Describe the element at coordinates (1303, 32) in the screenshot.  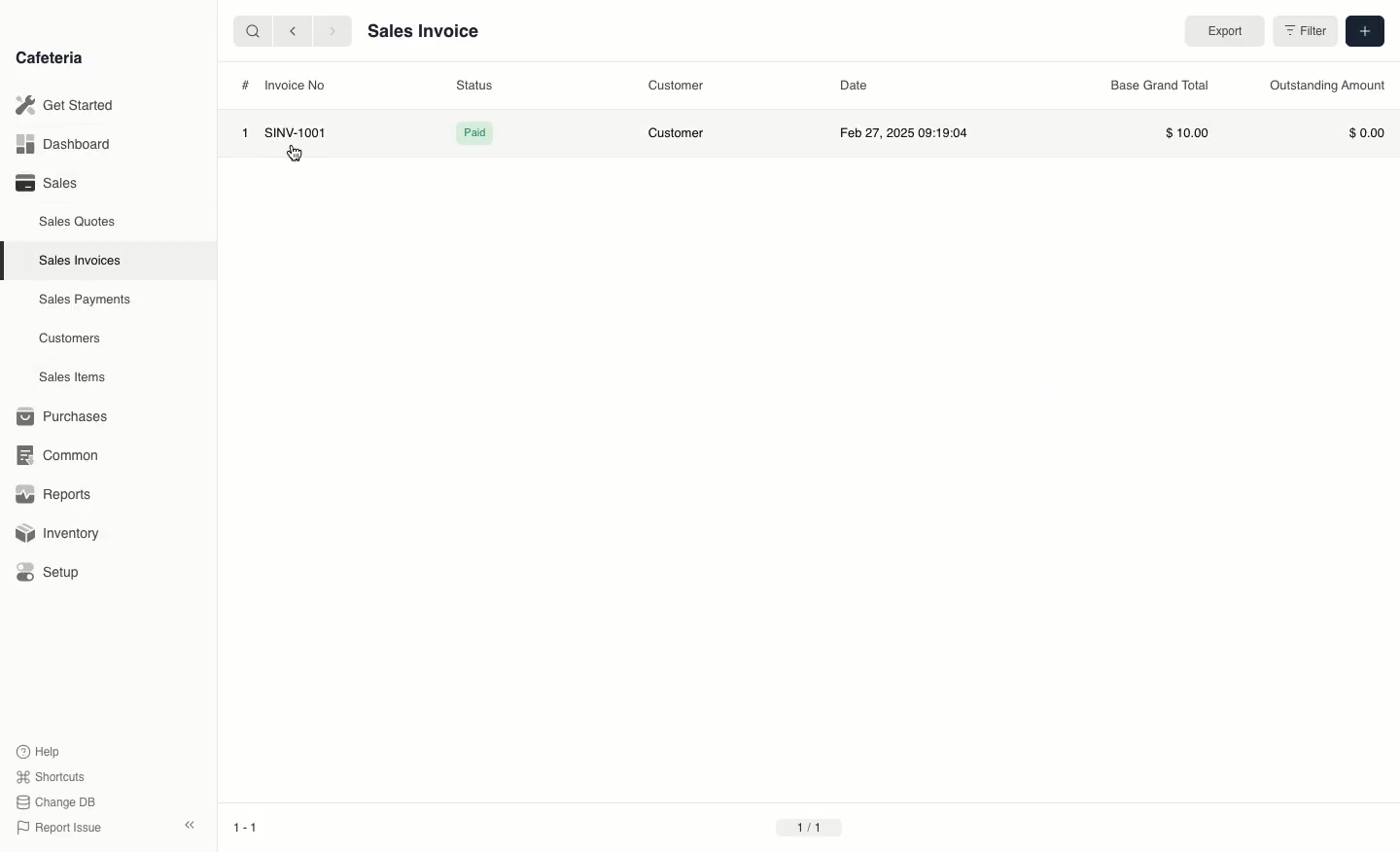
I see `Filter` at that location.